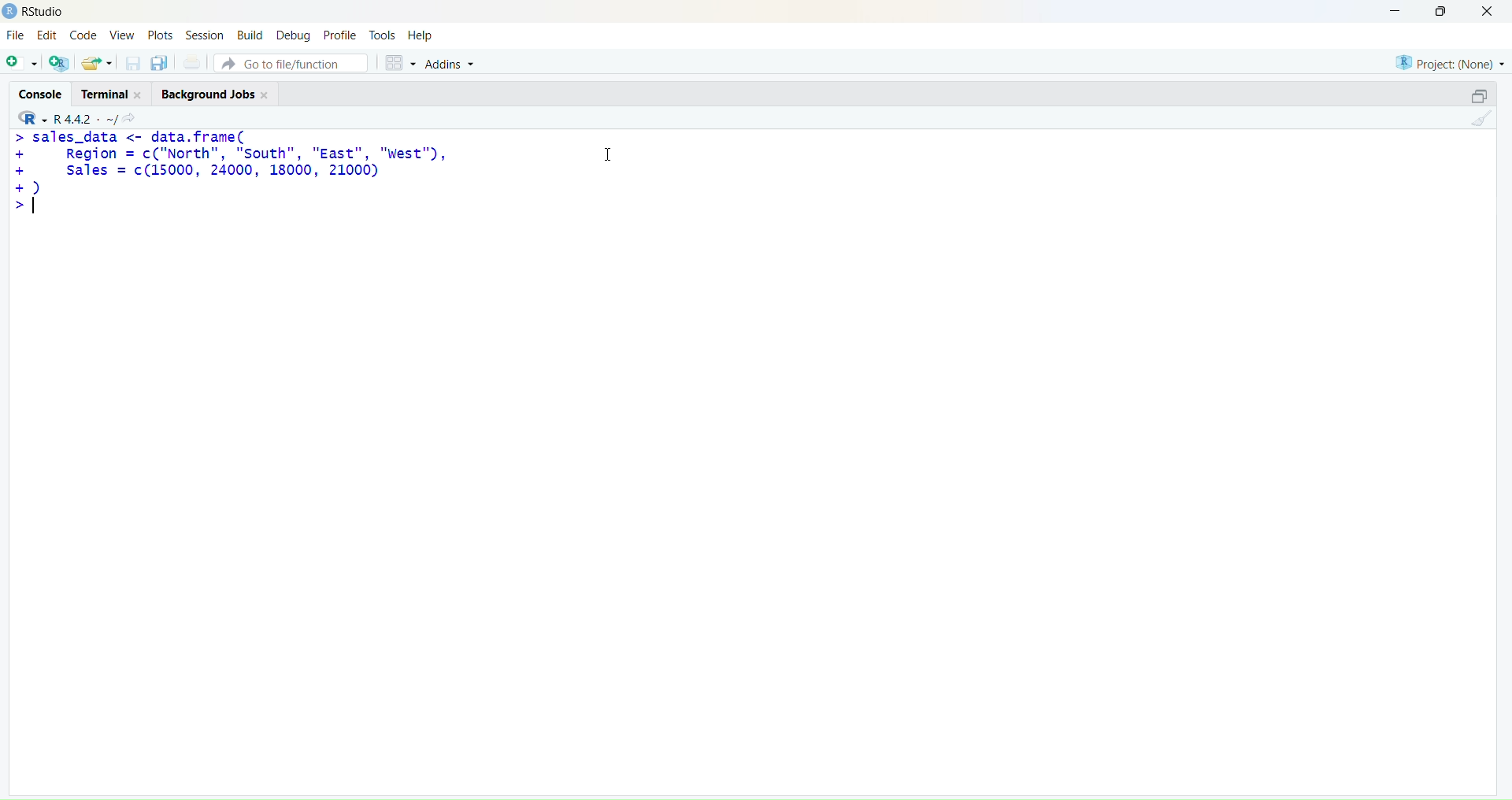  Describe the element at coordinates (202, 35) in the screenshot. I see `Session` at that location.